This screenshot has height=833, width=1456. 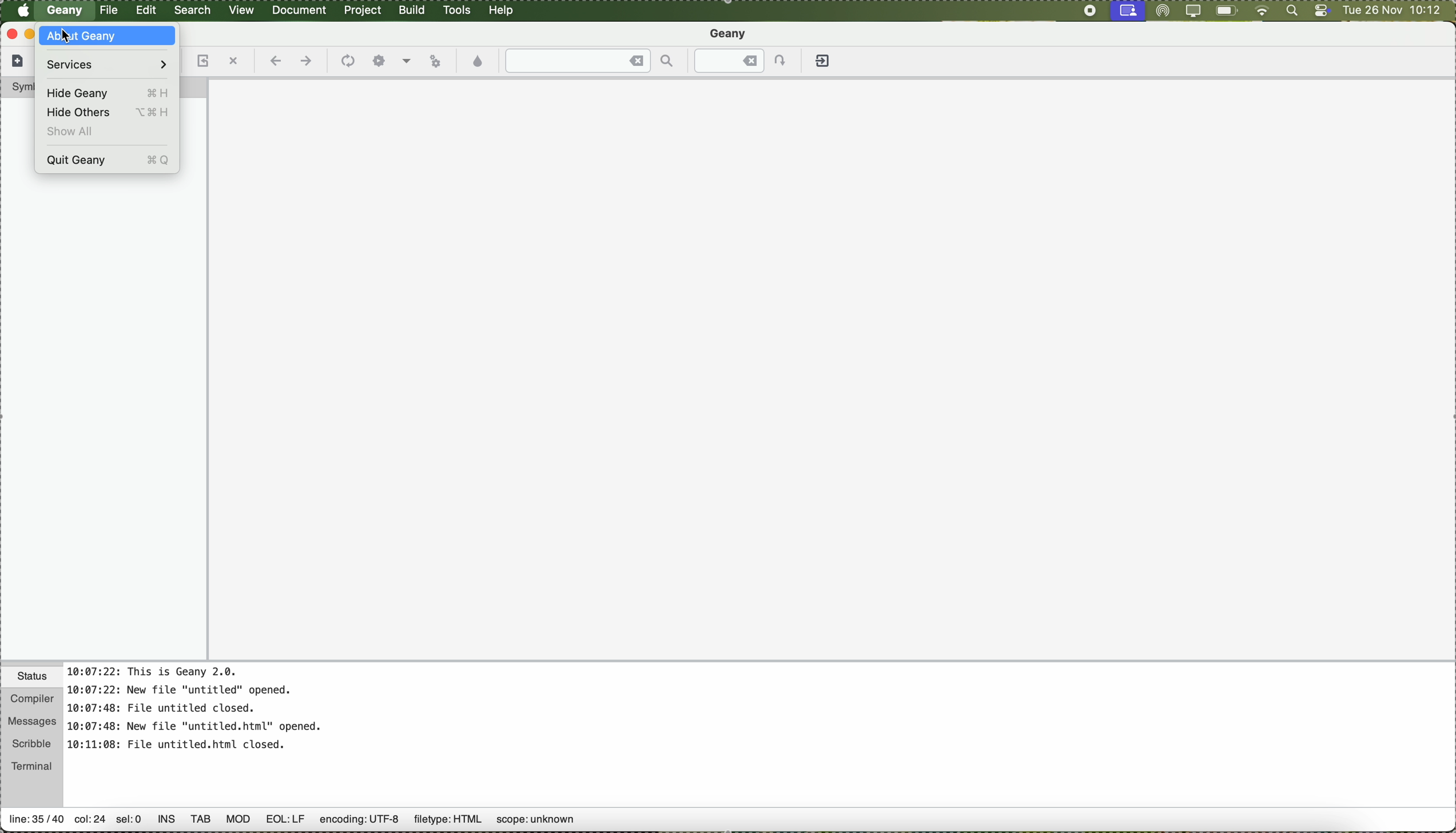 What do you see at coordinates (11, 34) in the screenshot?
I see `close Geany` at bounding box center [11, 34].